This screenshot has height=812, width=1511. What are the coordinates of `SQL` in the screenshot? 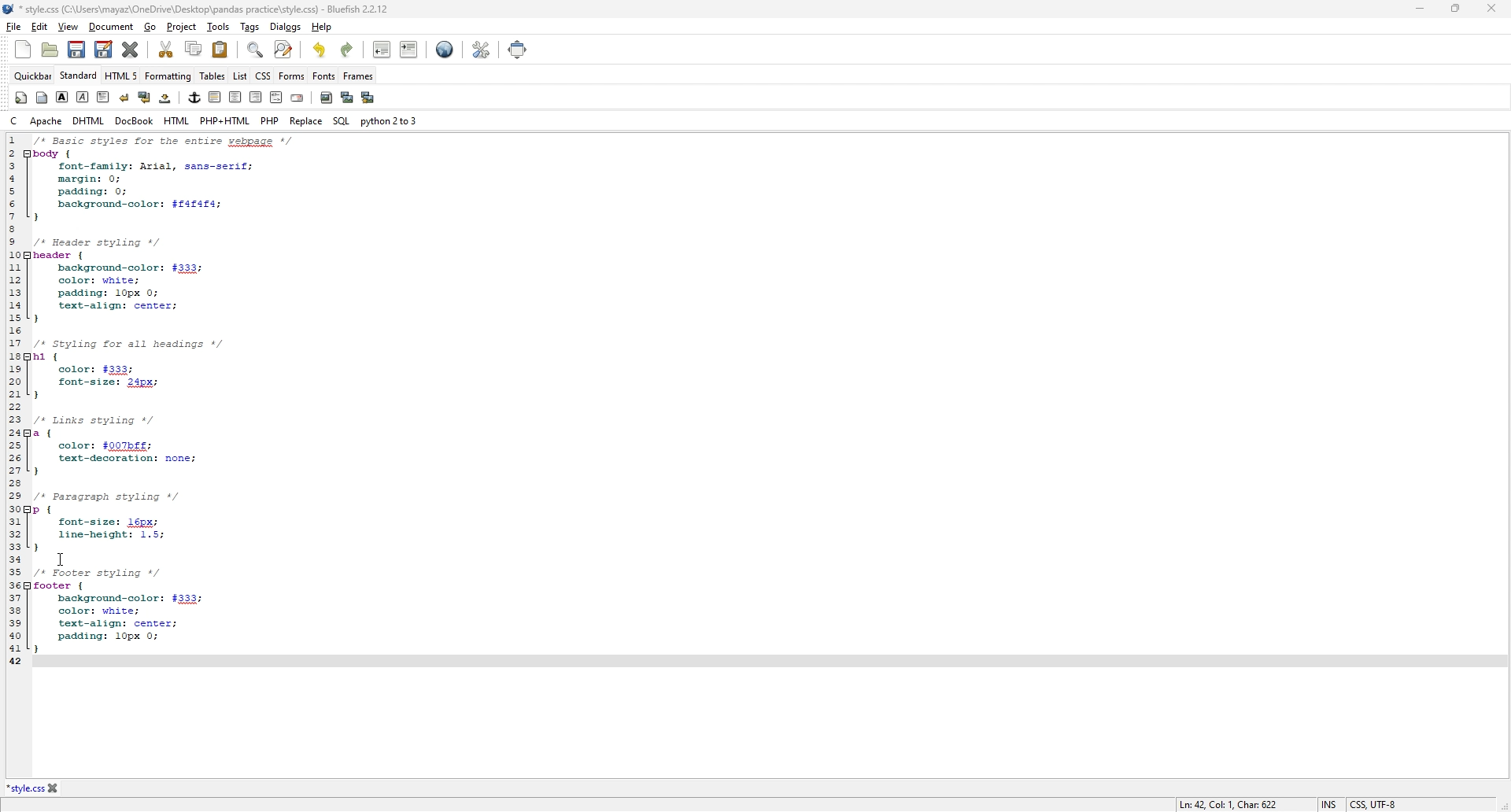 It's located at (341, 122).